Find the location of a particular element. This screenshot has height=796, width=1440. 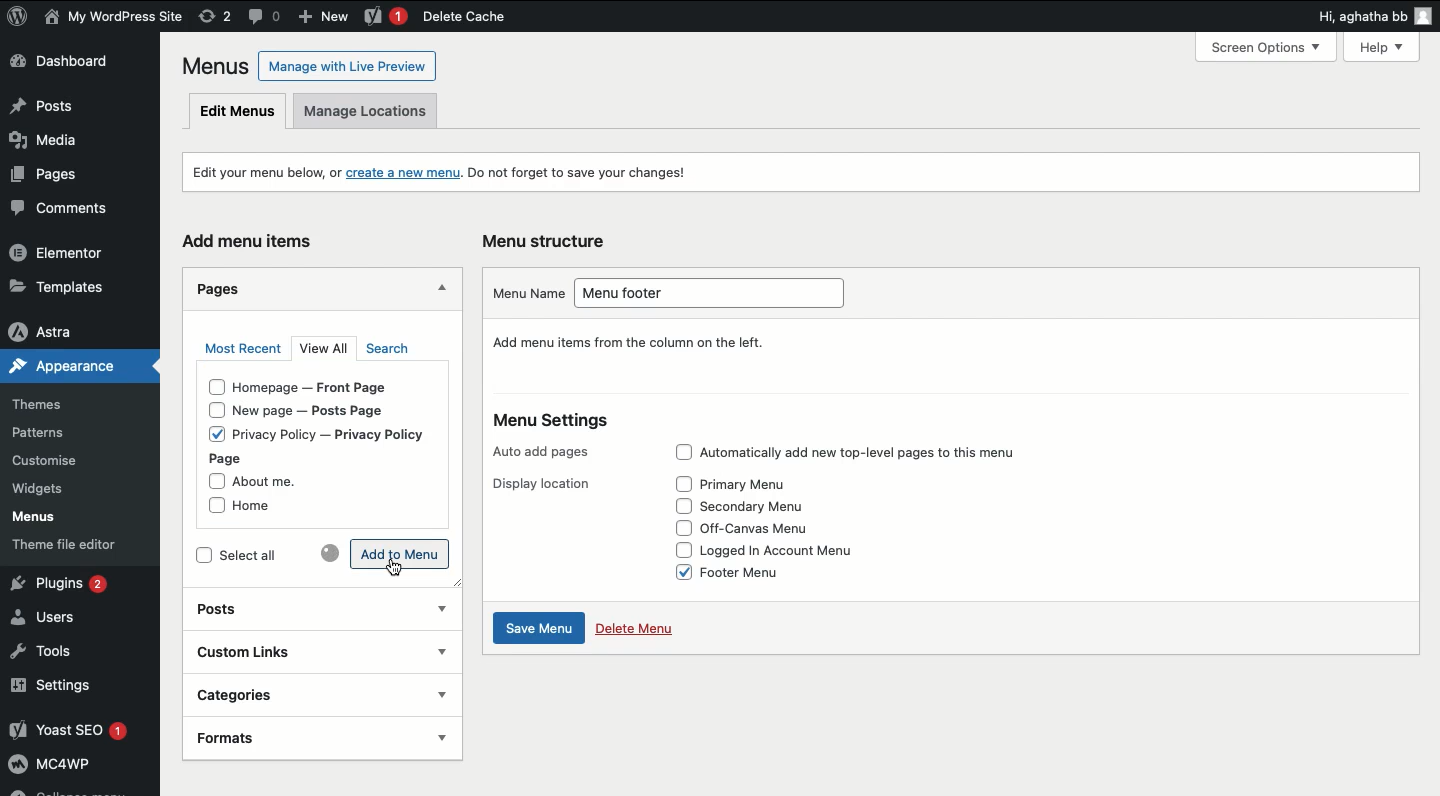

Search is located at coordinates (386, 349).